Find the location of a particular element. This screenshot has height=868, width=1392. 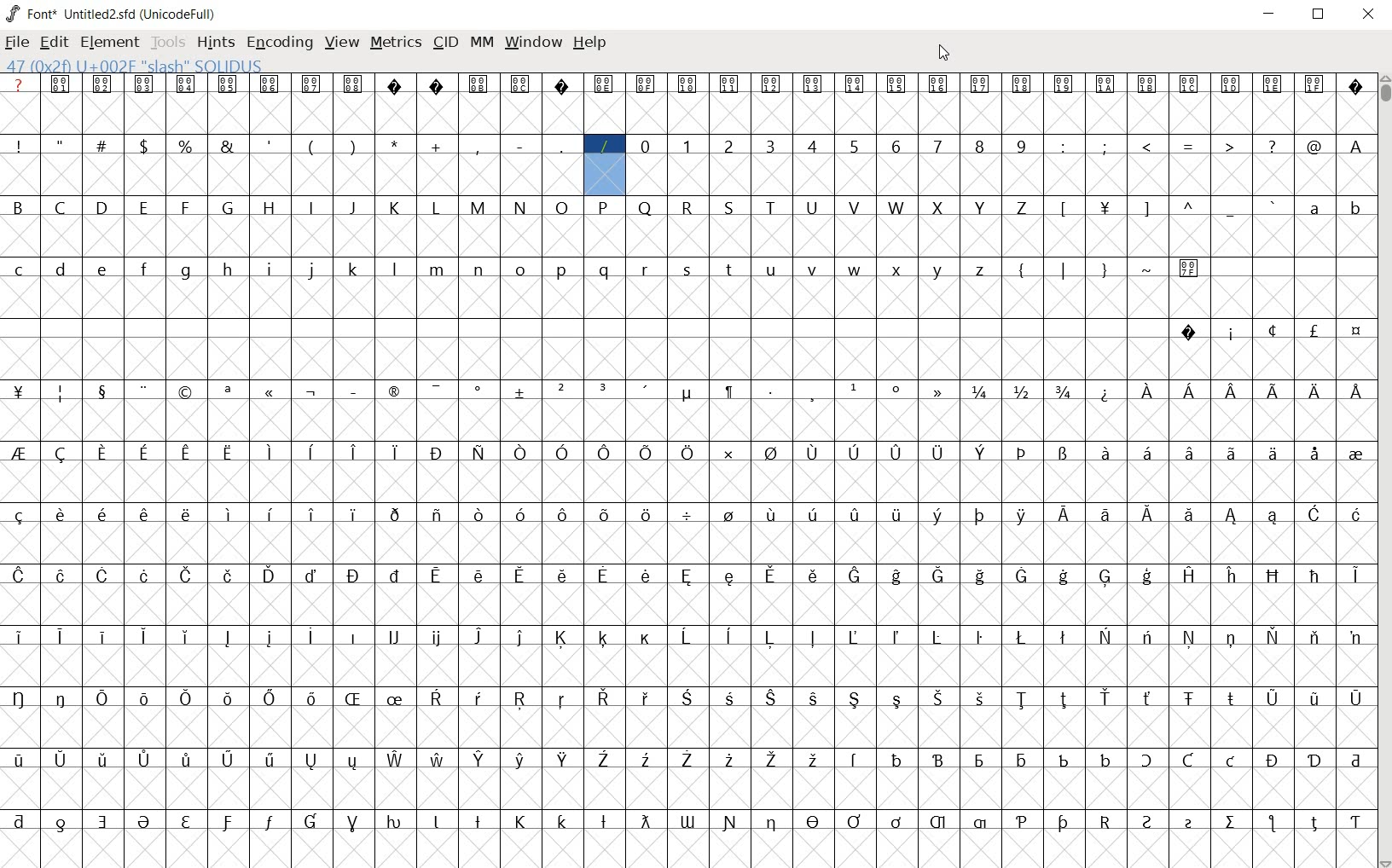

glyph is located at coordinates (520, 514).